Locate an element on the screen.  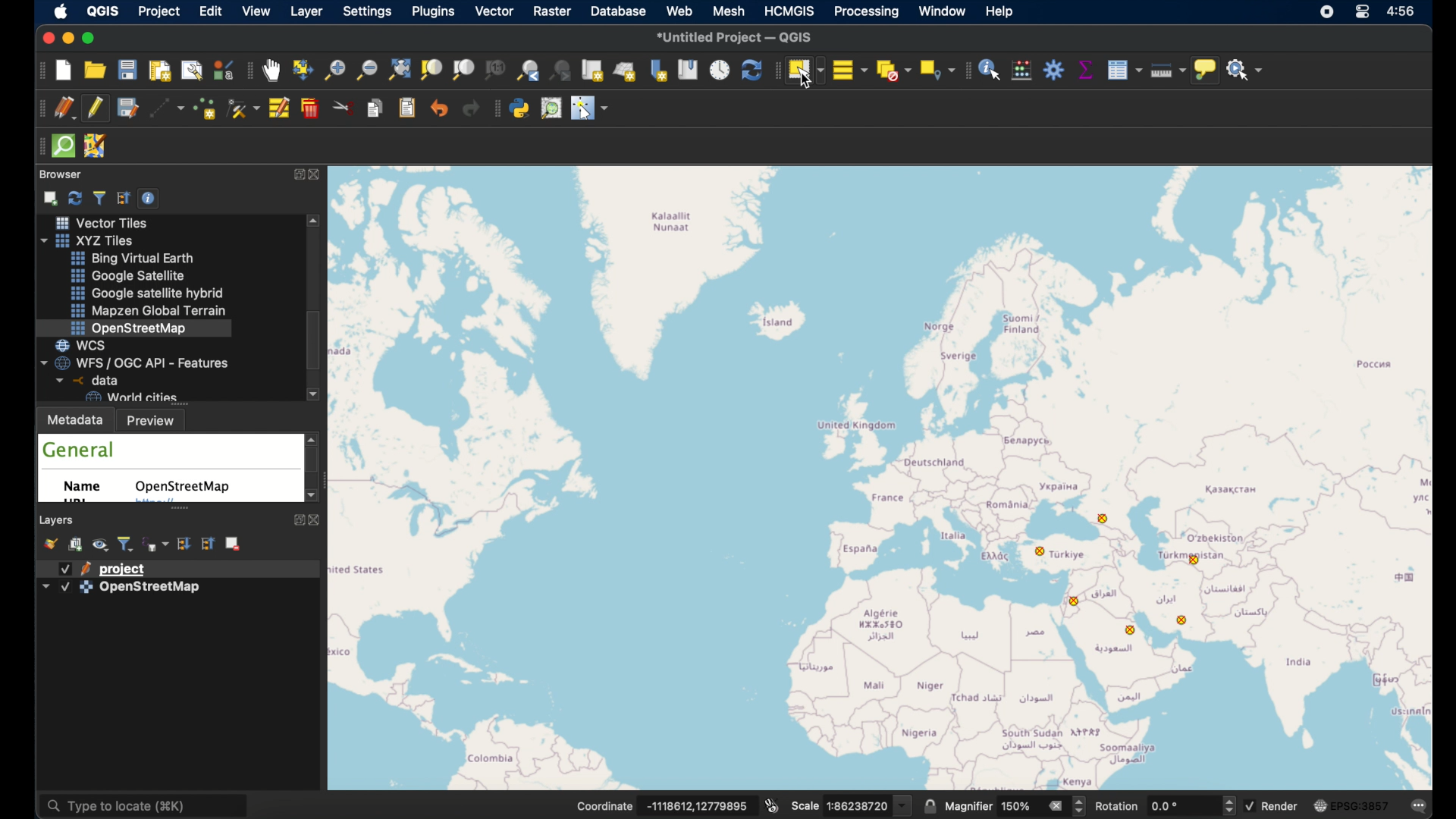
window is located at coordinates (943, 12).